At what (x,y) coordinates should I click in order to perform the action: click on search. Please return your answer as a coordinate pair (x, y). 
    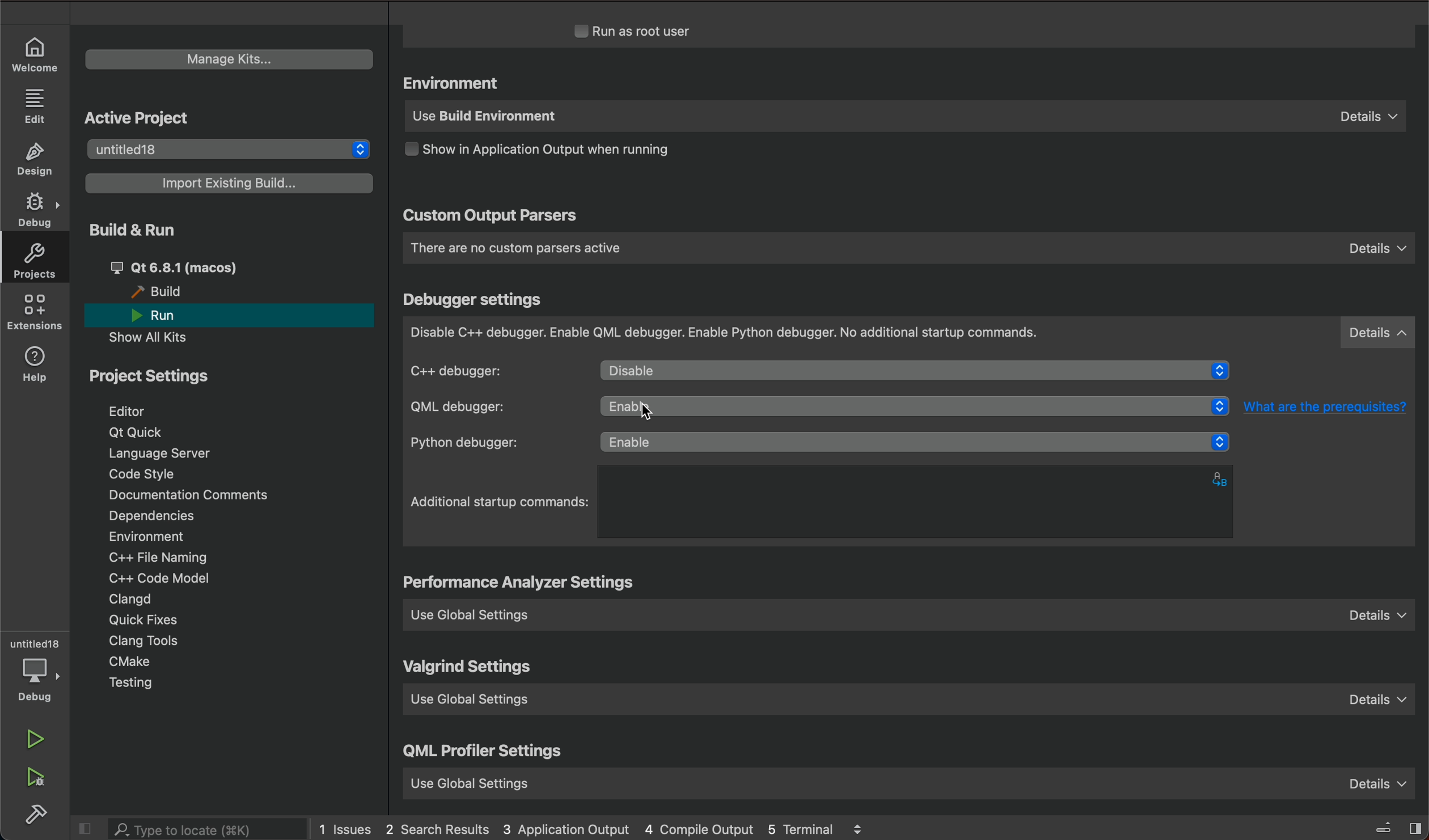
    Looking at the image, I should click on (208, 830).